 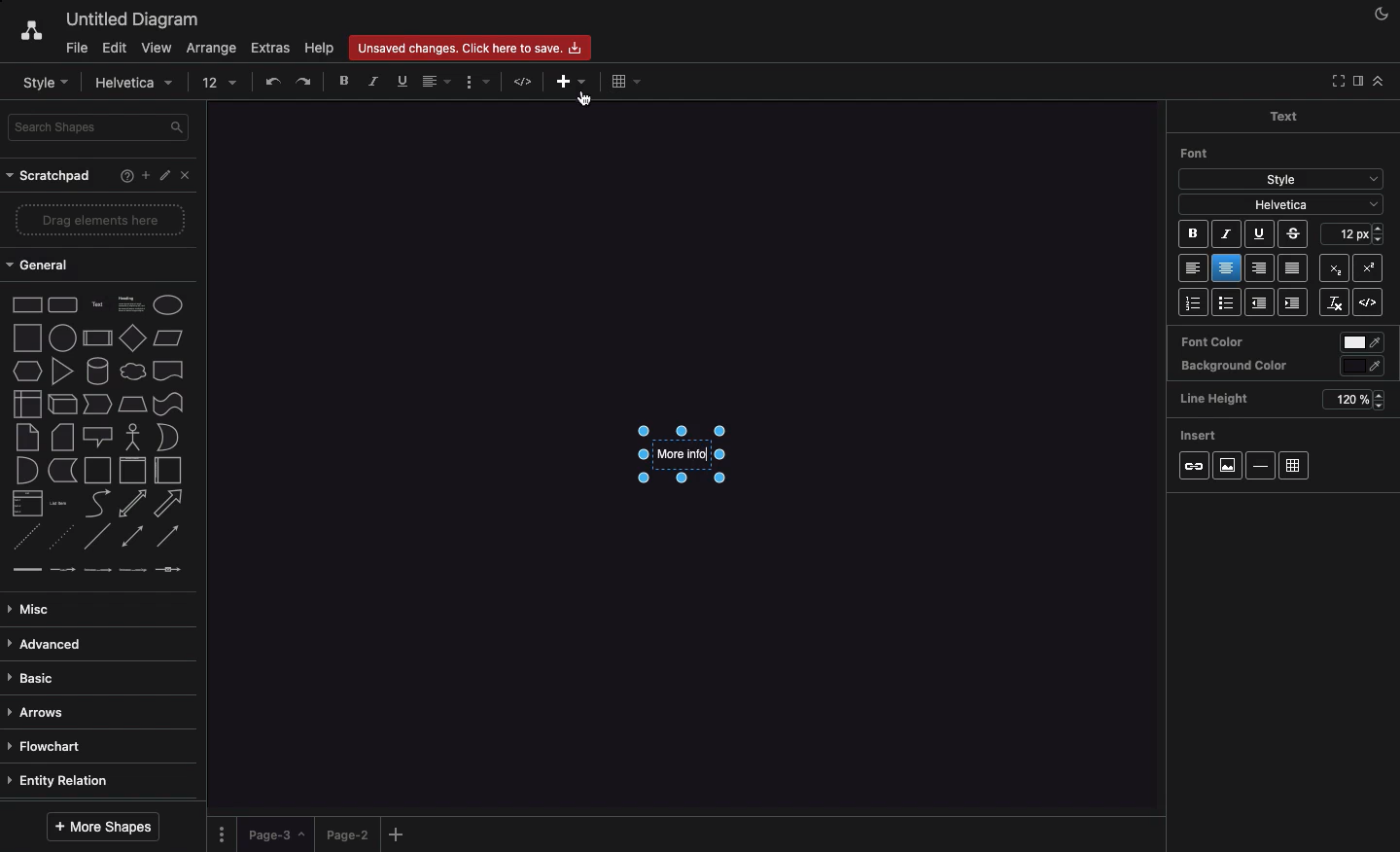 What do you see at coordinates (132, 405) in the screenshot?
I see `trapezoid` at bounding box center [132, 405].